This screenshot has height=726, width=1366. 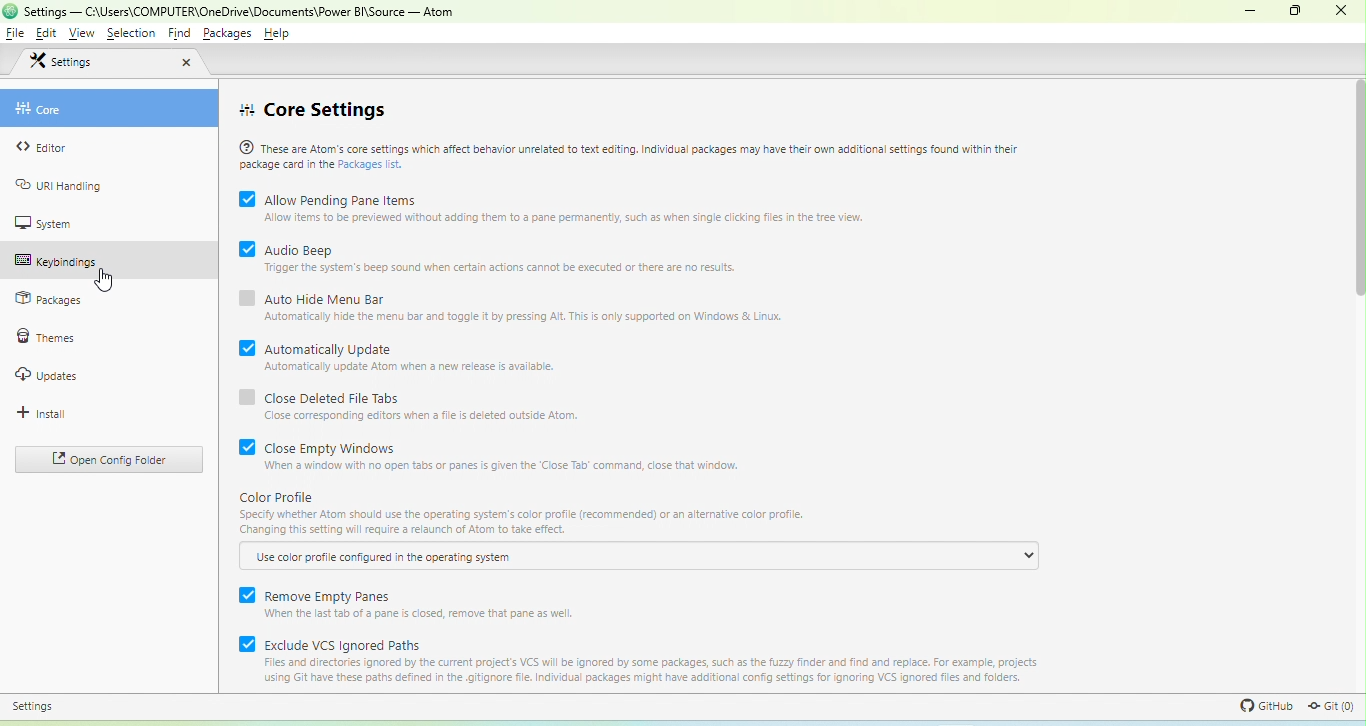 What do you see at coordinates (1029, 556) in the screenshot?
I see `dropdown` at bounding box center [1029, 556].